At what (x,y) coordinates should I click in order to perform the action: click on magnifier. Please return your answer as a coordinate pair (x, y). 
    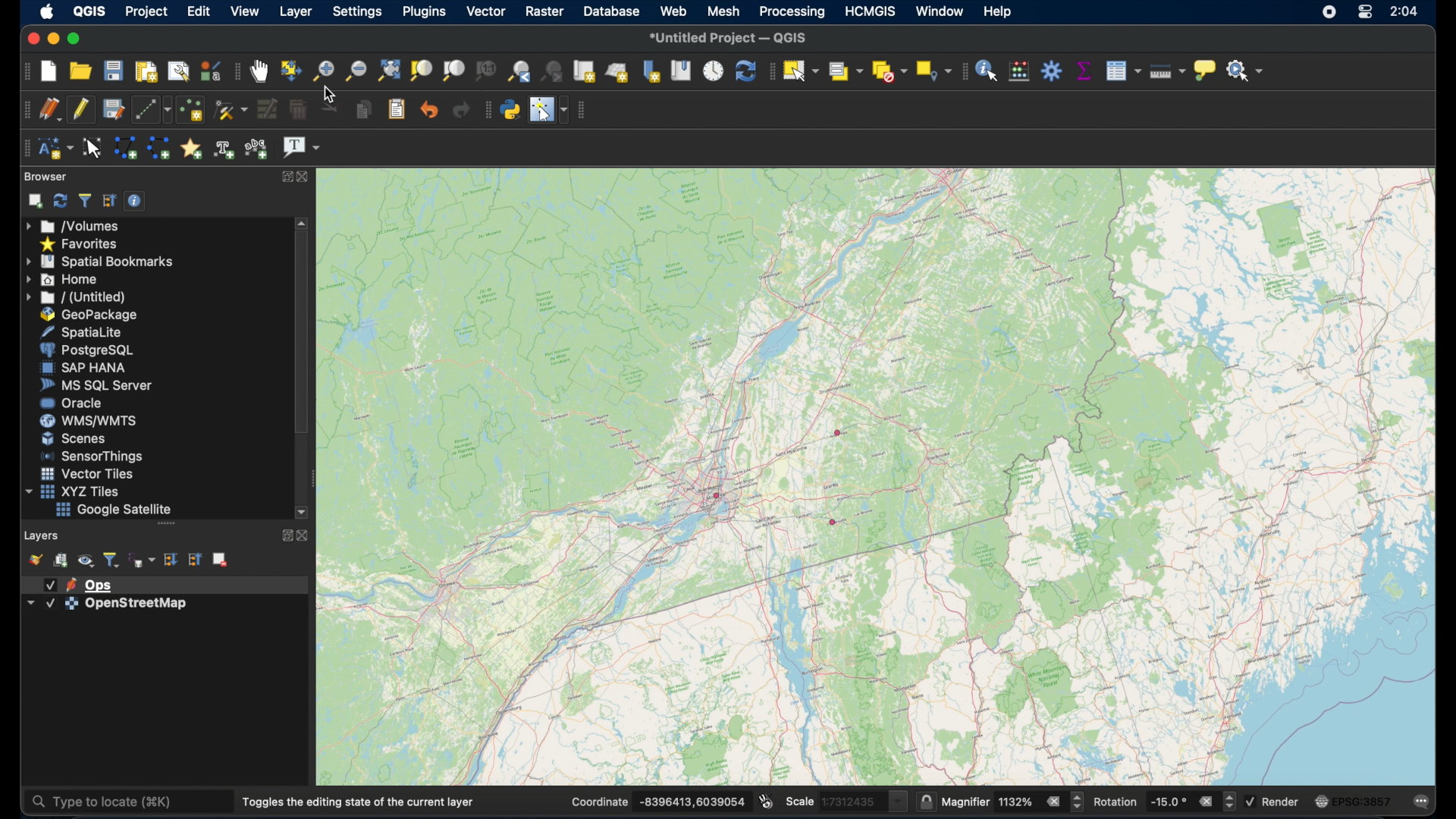
    Looking at the image, I should click on (1012, 800).